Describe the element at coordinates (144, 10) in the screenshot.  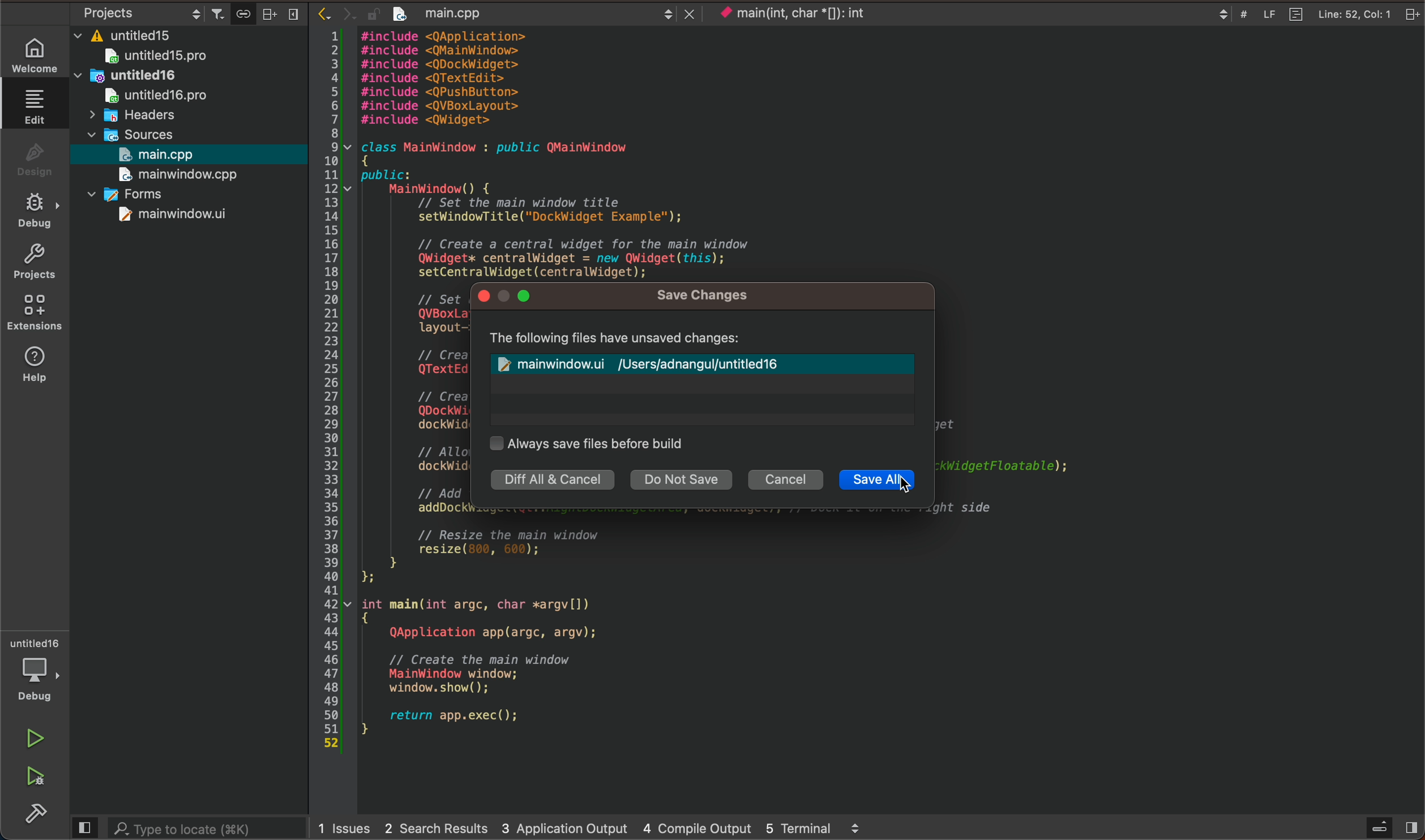
I see `object settings` at that location.